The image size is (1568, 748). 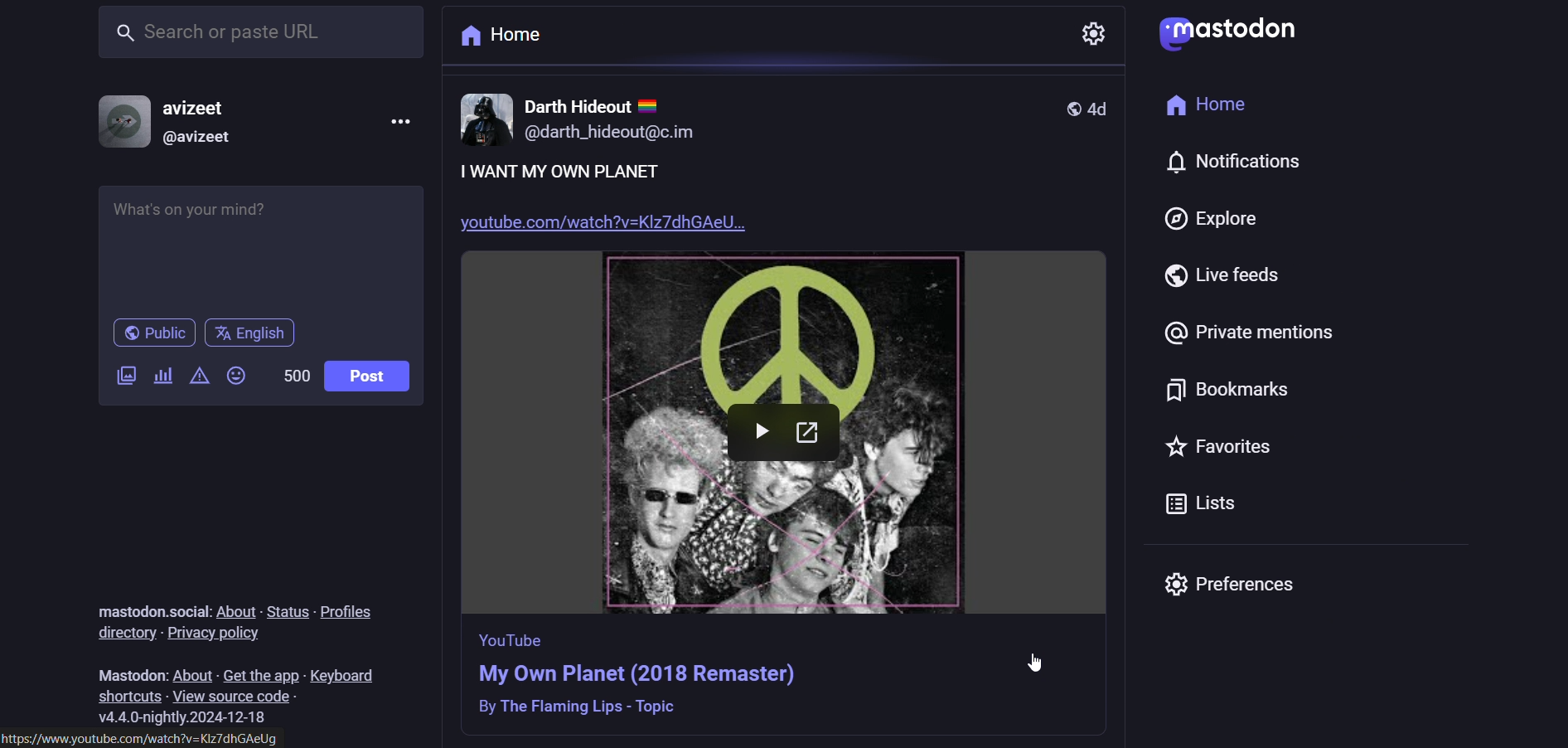 What do you see at coordinates (287, 607) in the screenshot?
I see `status` at bounding box center [287, 607].